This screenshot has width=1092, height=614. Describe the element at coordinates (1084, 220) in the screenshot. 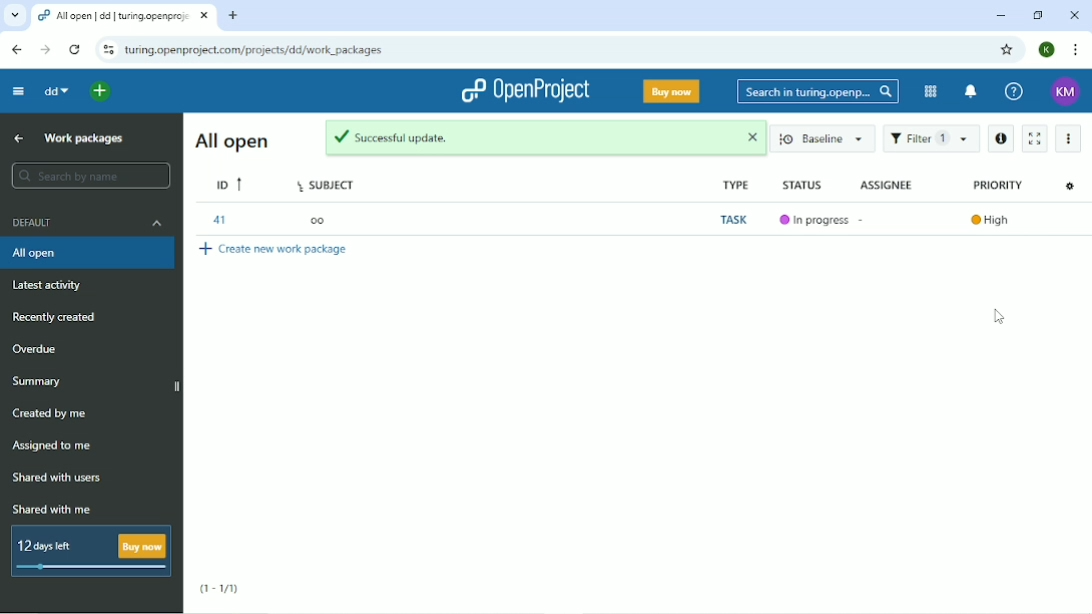

I see `Open context menu` at that location.